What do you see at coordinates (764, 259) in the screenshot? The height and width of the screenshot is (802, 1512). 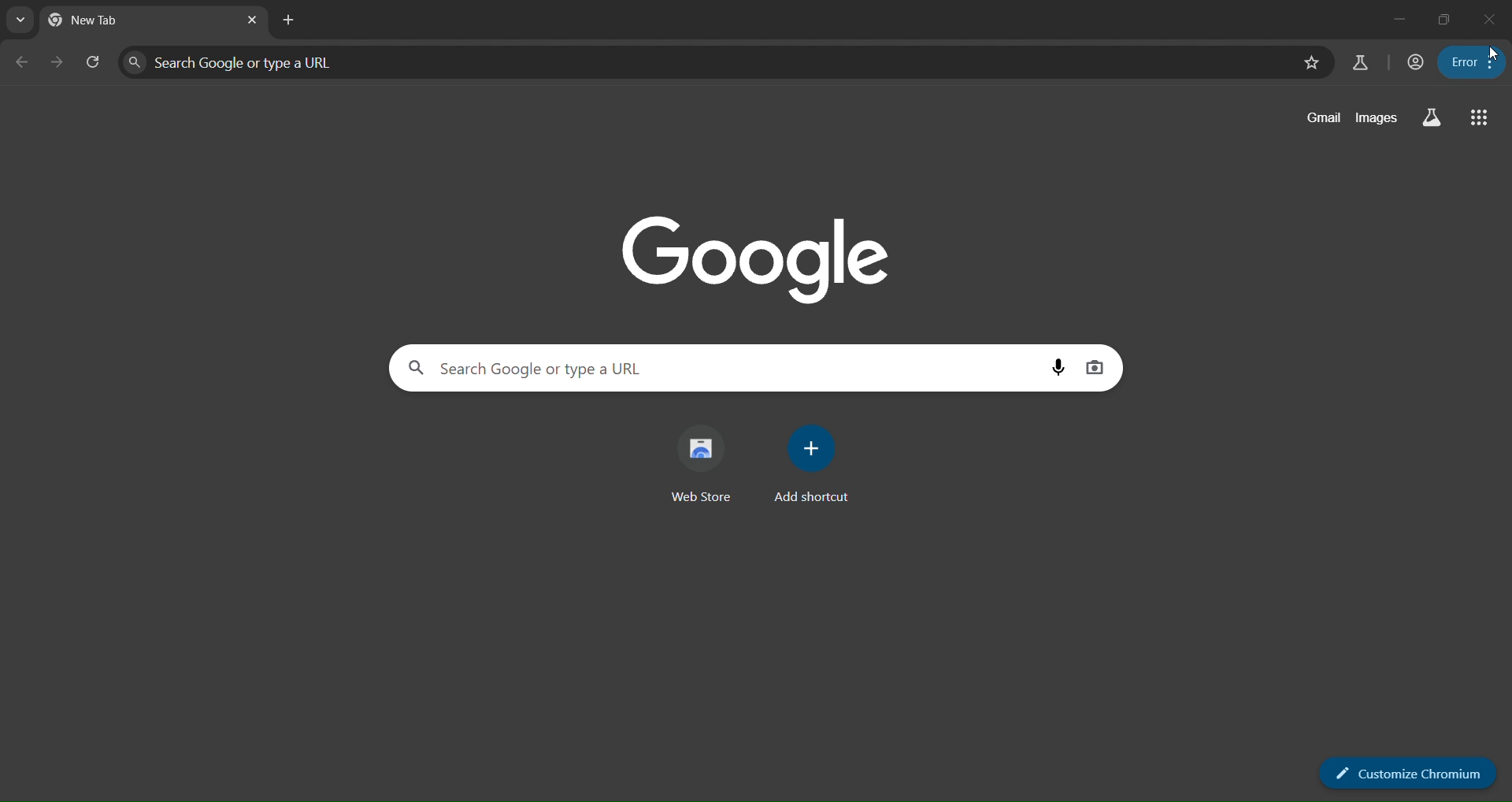 I see `image` at bounding box center [764, 259].